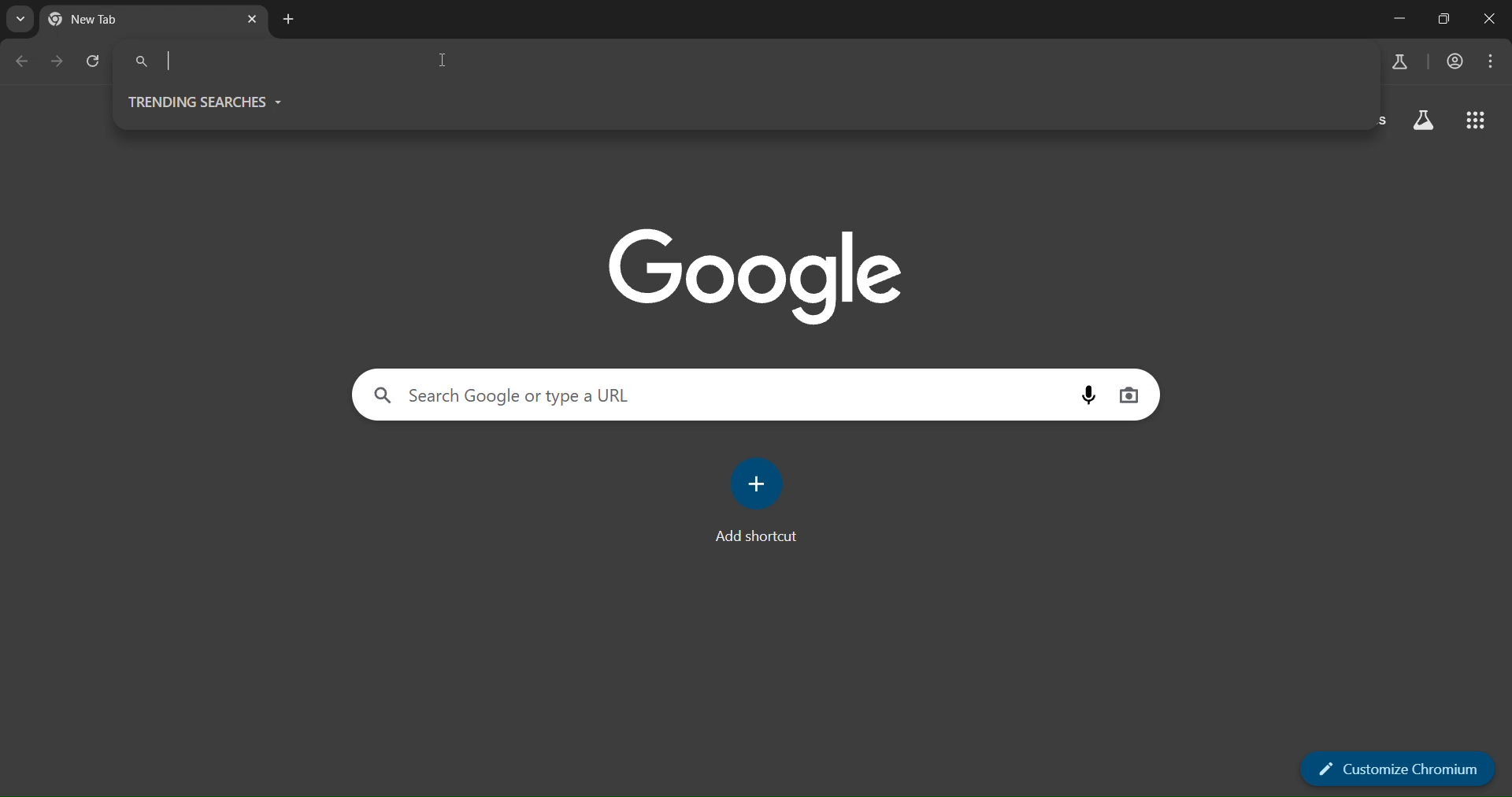 This screenshot has height=797, width=1512. I want to click on close, so click(1493, 18).